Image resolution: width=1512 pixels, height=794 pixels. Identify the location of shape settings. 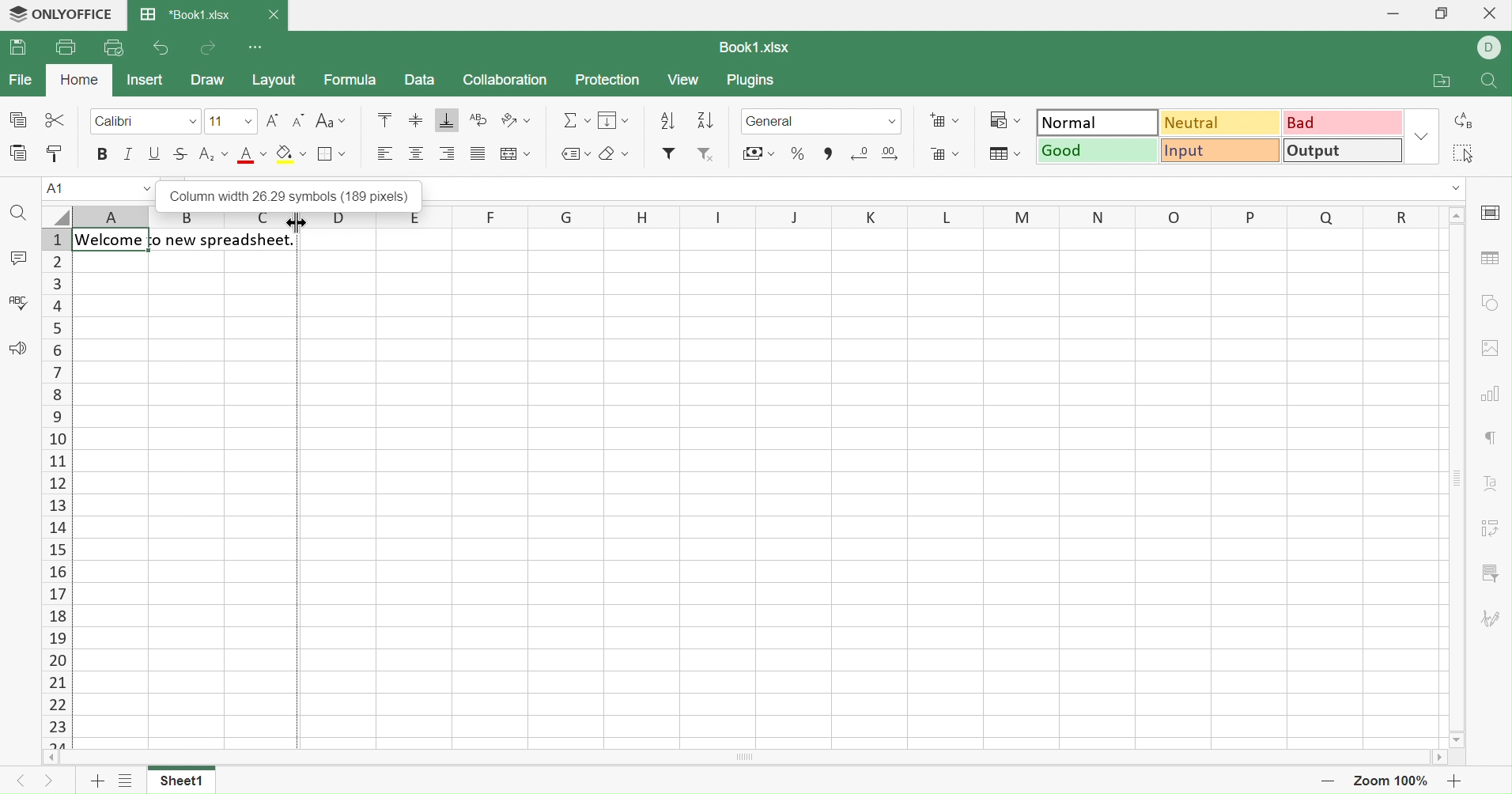
(1493, 300).